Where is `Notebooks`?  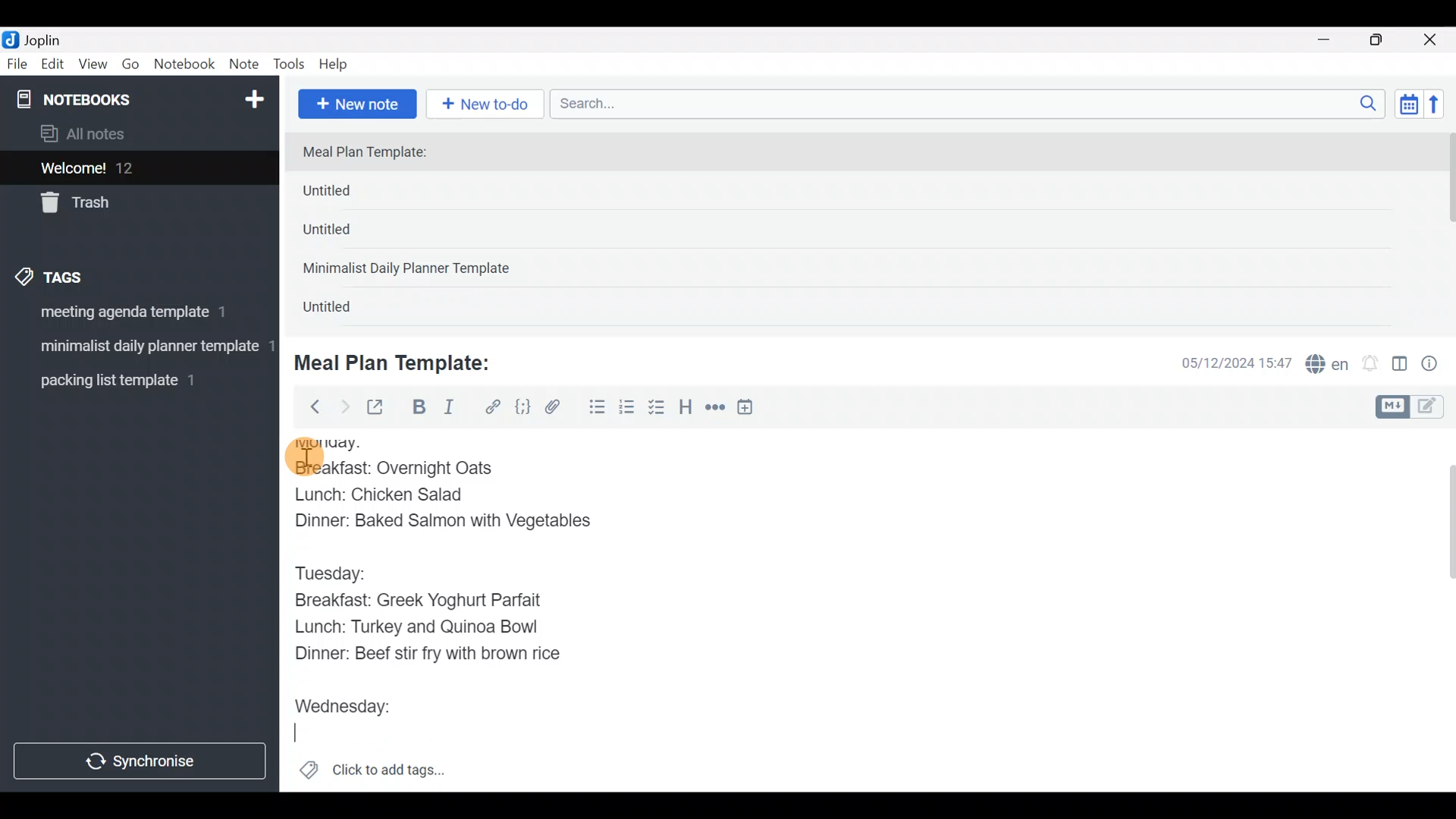 Notebooks is located at coordinates (107, 99).